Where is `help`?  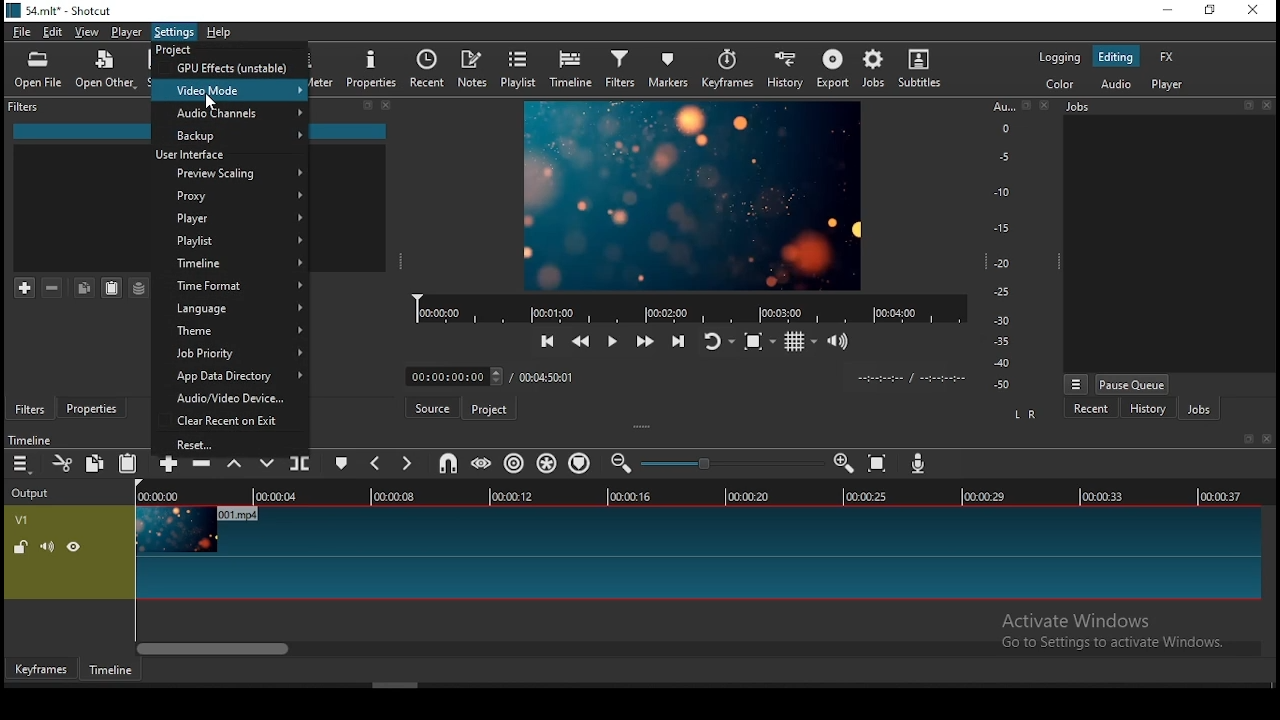
help is located at coordinates (226, 32).